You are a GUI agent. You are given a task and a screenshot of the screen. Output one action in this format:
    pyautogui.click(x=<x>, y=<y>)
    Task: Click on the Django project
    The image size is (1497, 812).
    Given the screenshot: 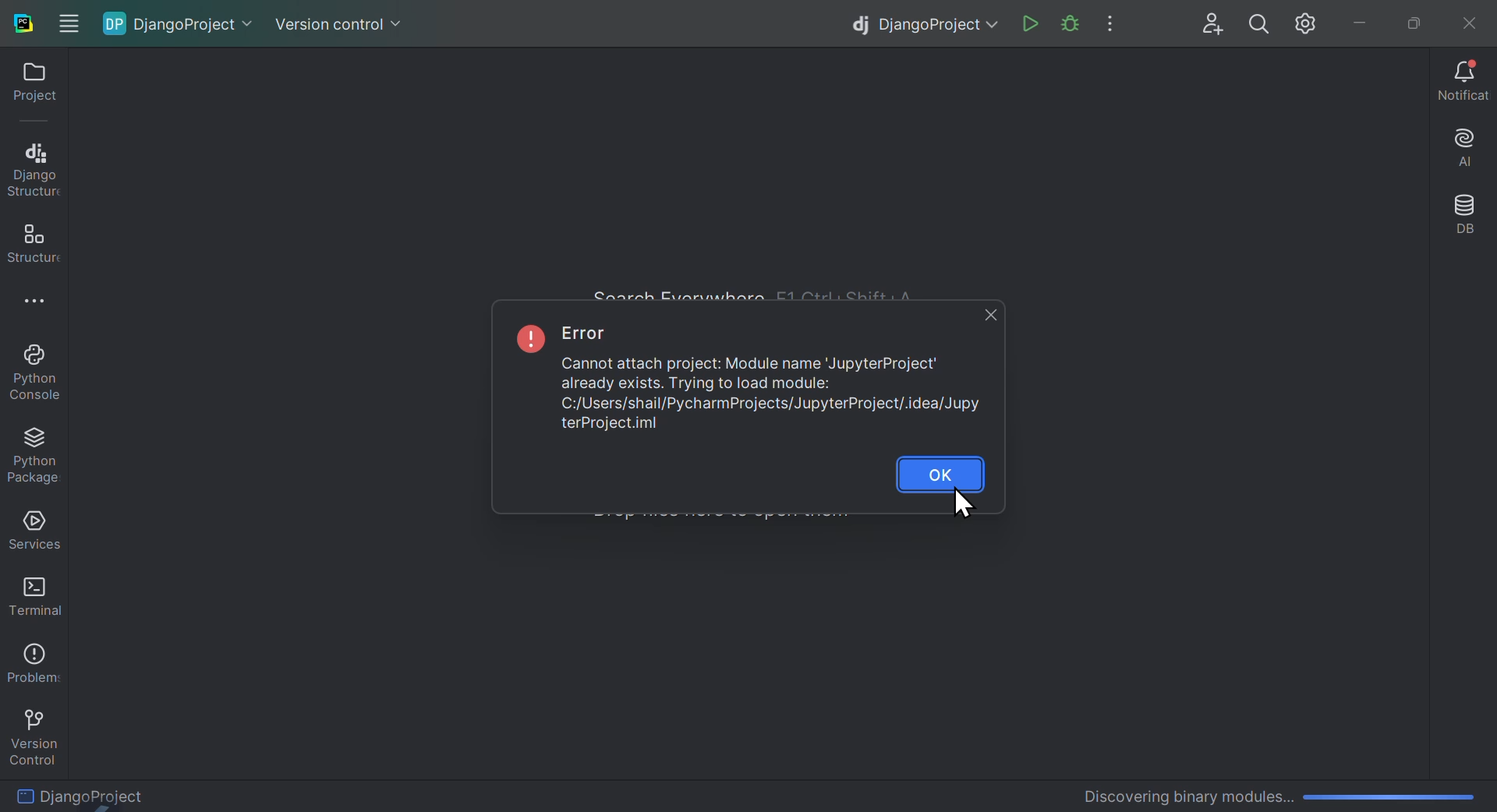 What is the action you would take?
    pyautogui.click(x=183, y=24)
    